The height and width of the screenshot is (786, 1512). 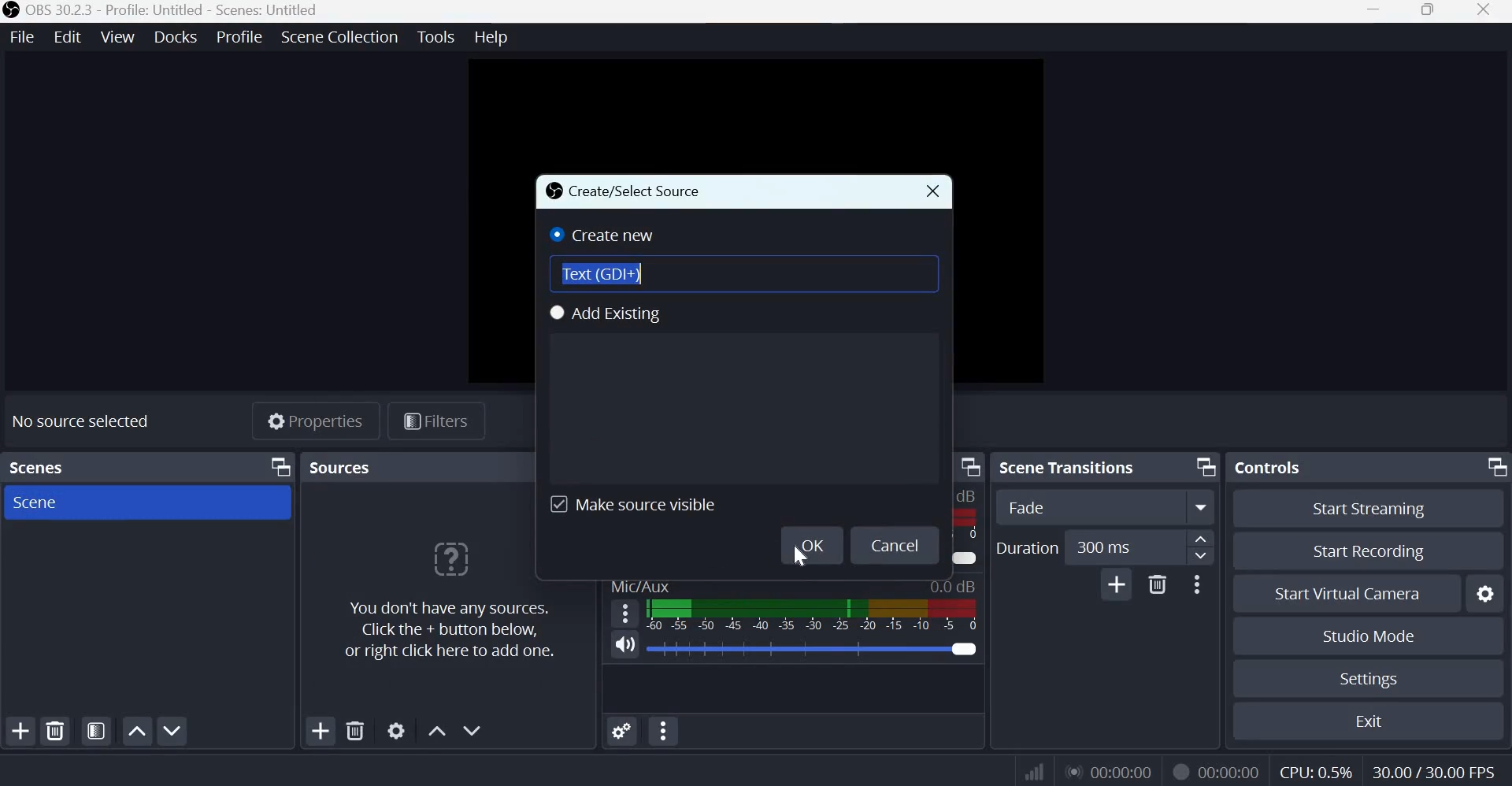 What do you see at coordinates (342, 466) in the screenshot?
I see `Sources` at bounding box center [342, 466].